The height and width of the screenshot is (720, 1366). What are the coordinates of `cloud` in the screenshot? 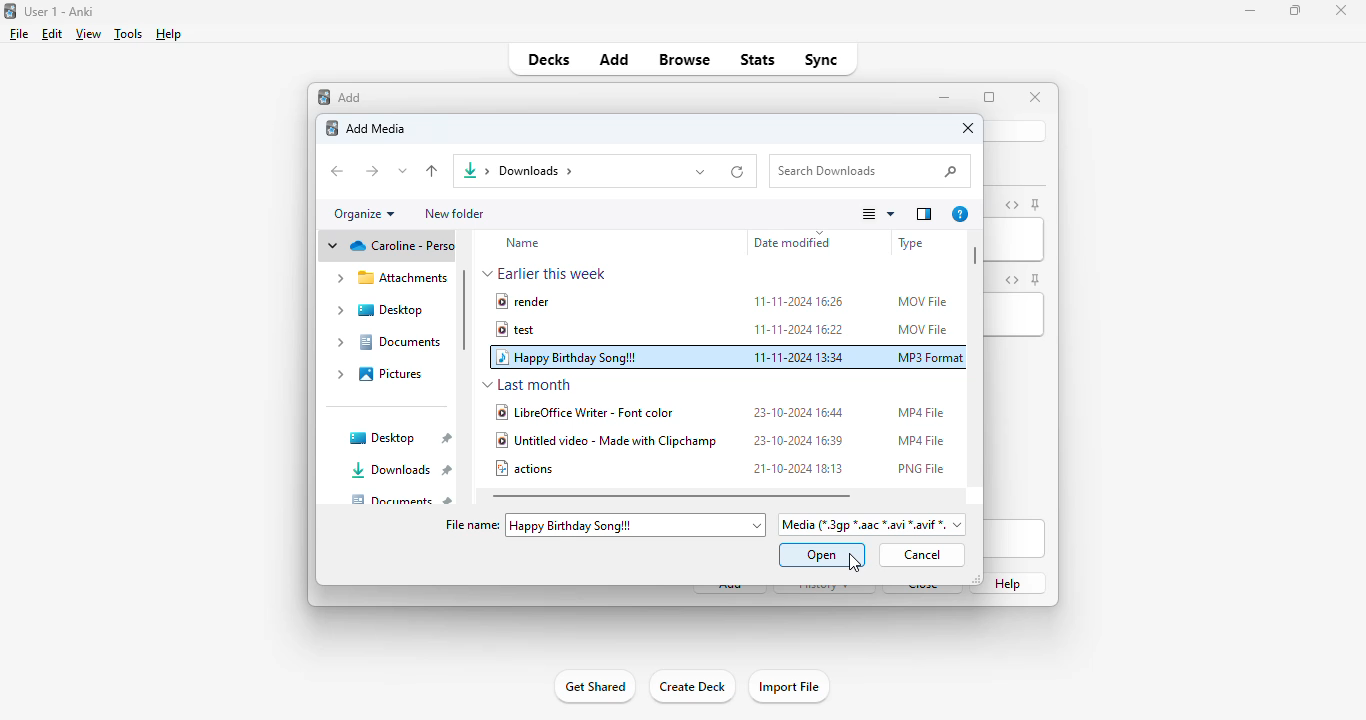 It's located at (388, 246).